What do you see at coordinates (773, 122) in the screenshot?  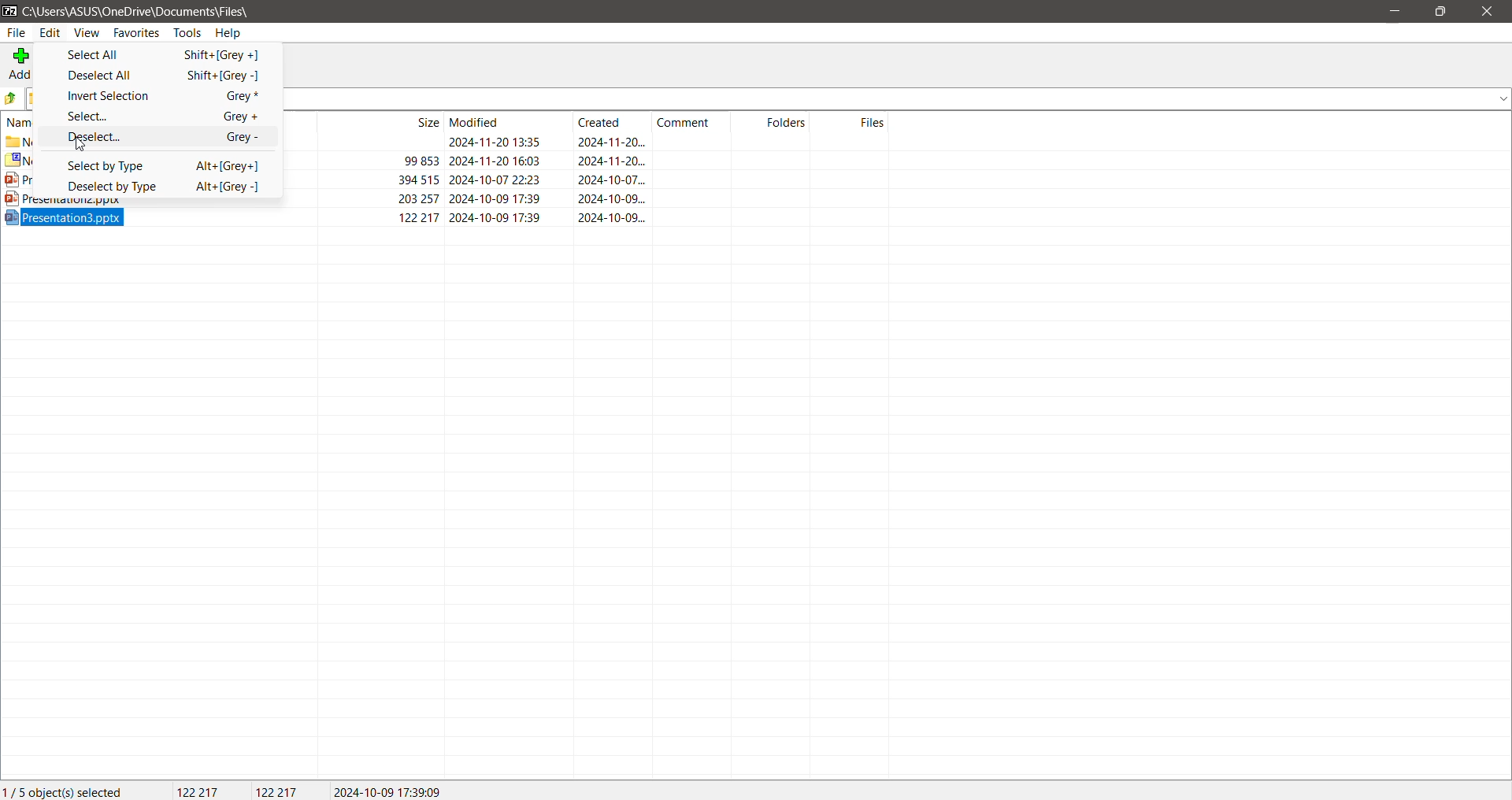 I see `Folders` at bounding box center [773, 122].